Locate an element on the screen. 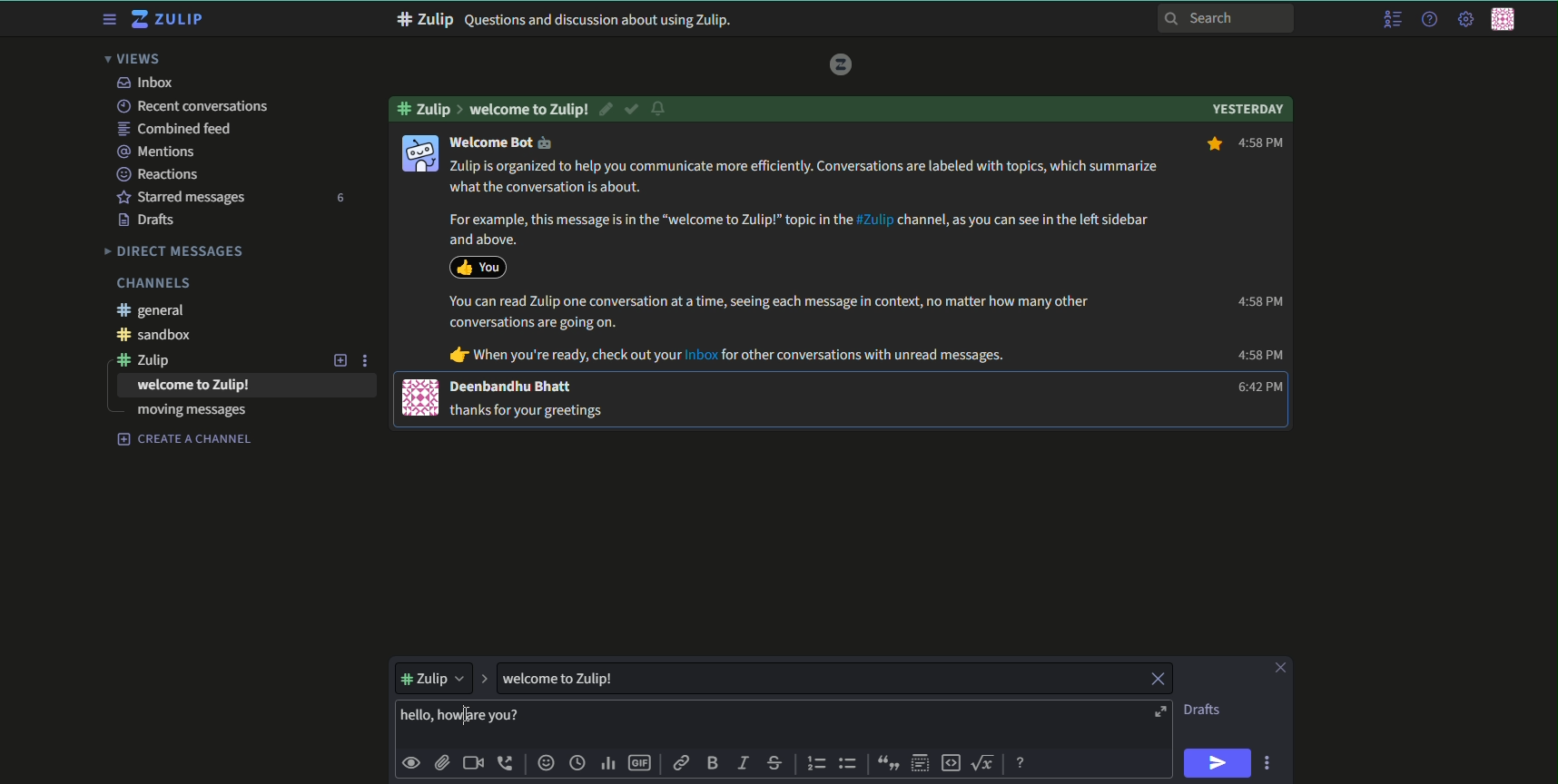 This screenshot has width=1558, height=784. icon is located at coordinates (478, 266).